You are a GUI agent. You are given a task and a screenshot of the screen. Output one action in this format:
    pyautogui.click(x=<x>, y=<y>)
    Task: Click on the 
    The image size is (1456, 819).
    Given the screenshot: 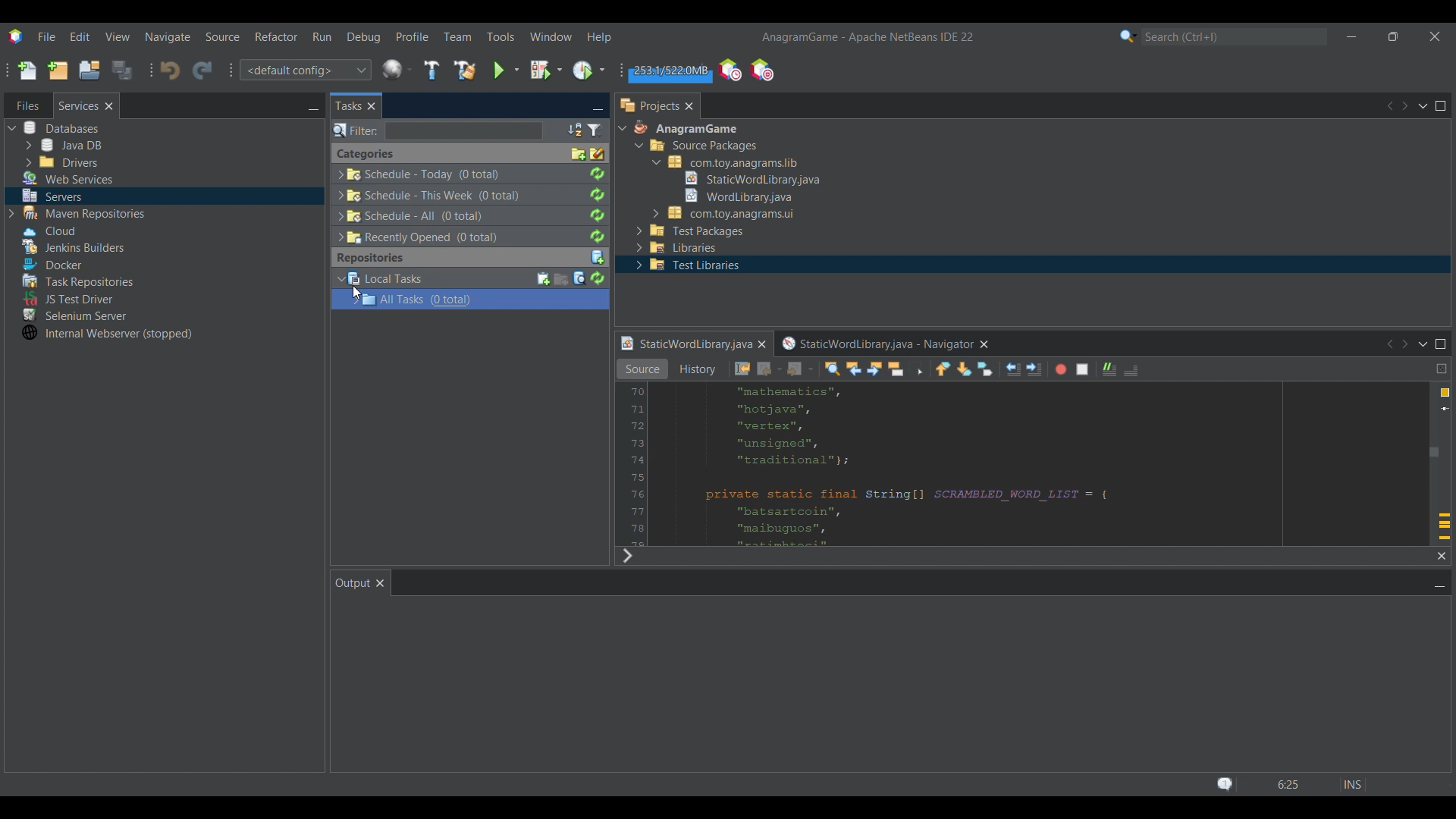 What is the action you would take?
    pyautogui.click(x=469, y=172)
    